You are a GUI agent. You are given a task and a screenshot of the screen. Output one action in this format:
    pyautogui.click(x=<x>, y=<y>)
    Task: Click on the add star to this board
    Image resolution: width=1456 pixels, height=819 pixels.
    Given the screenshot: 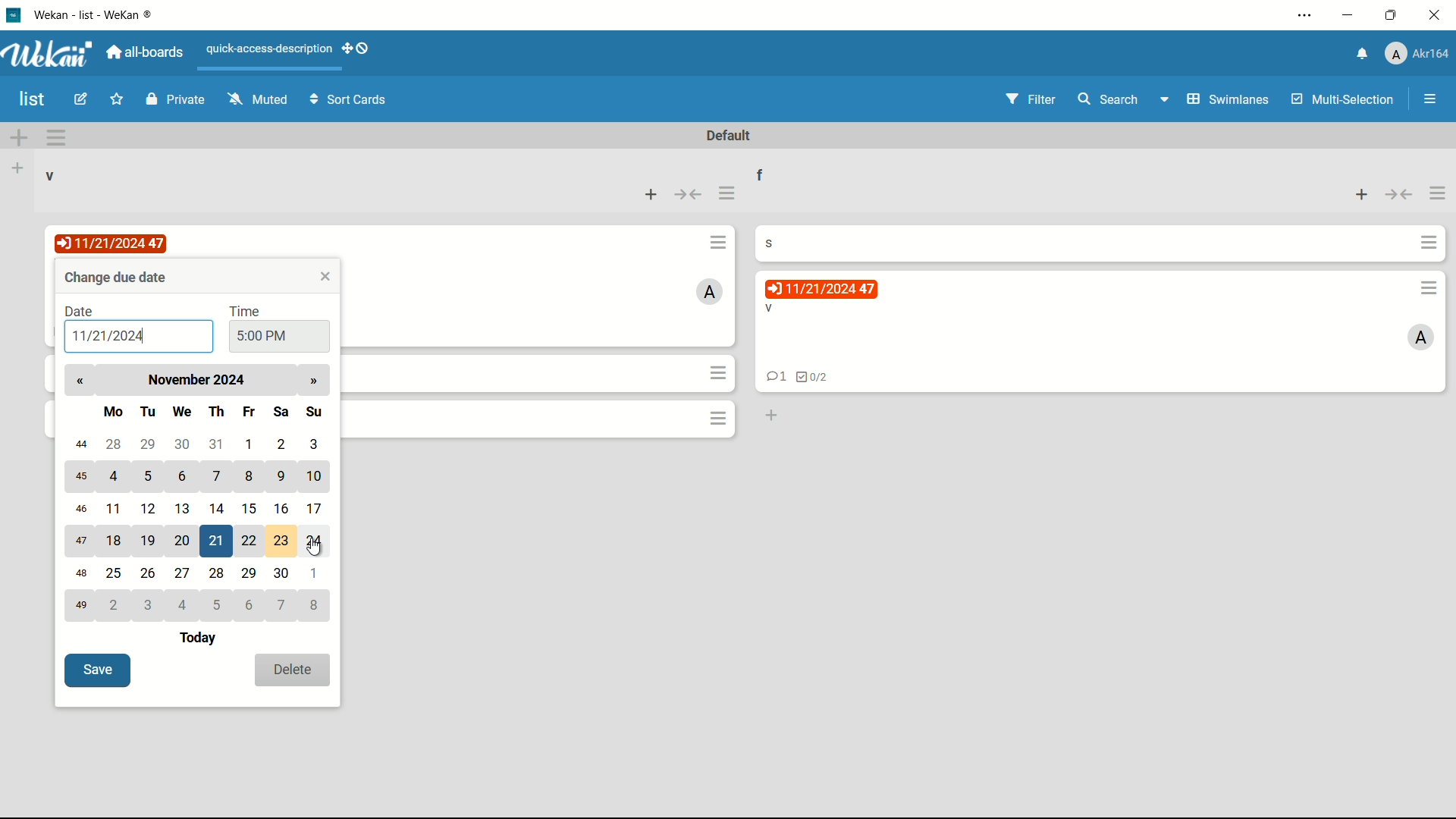 What is the action you would take?
    pyautogui.click(x=115, y=102)
    